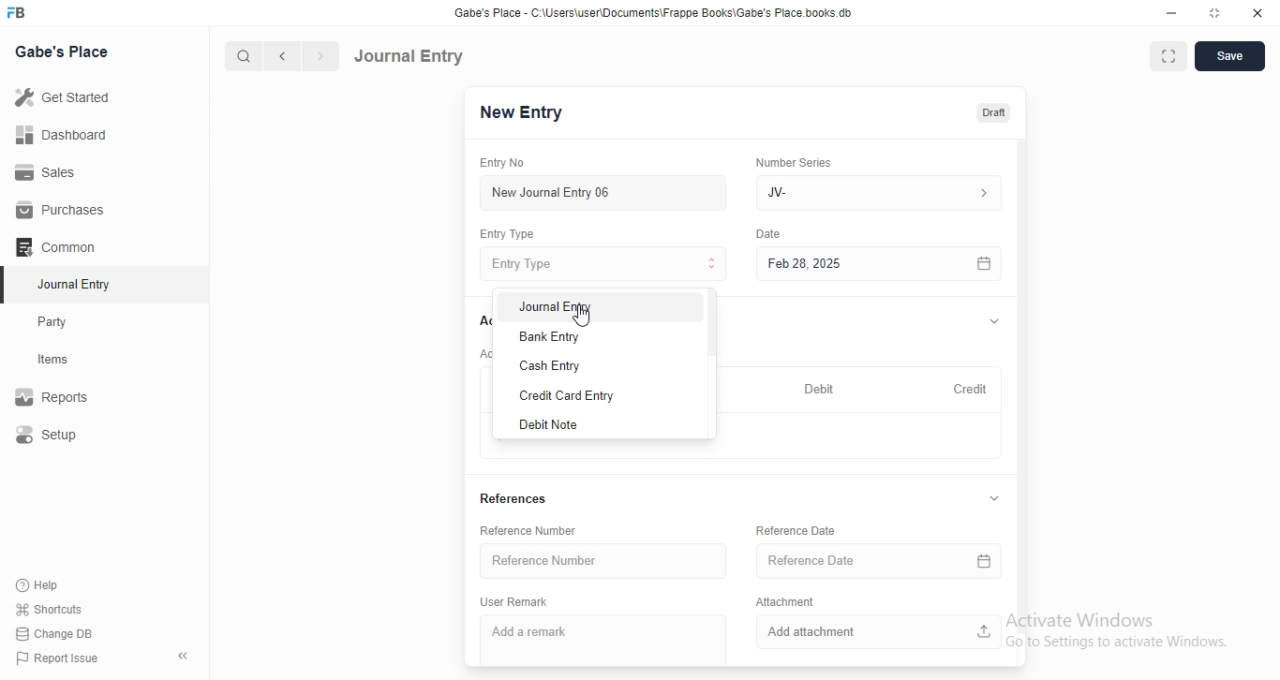  What do you see at coordinates (59, 659) in the screenshot?
I see `) Report Issue` at bounding box center [59, 659].